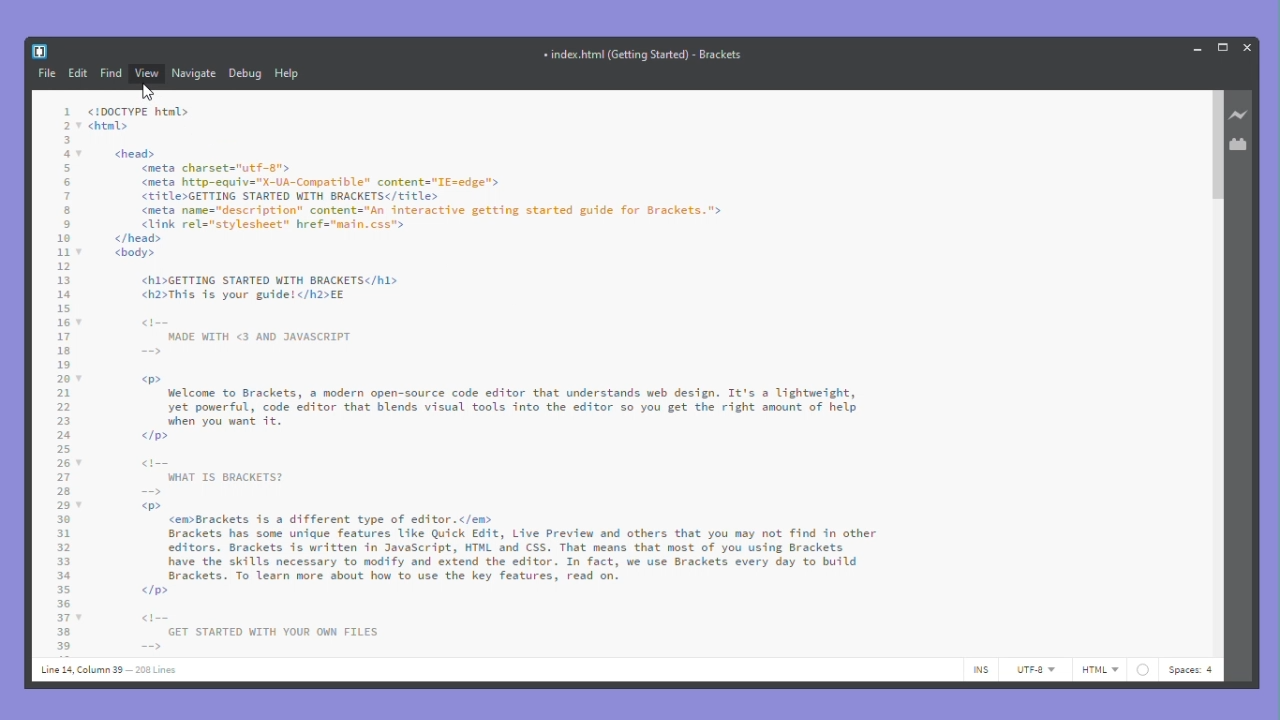 The width and height of the screenshot is (1280, 720). I want to click on <head><meta charset="utf-8"><meta http-equiv="X-UA-Compatible" content="IE=edge"><title>GETTING STARTED WITH BRACKETS</title><meta name="description” content="An interactive getting started guide for Brackets."><link rel="stylesheet" href="nain.css"></head><body>, so click(416, 205).